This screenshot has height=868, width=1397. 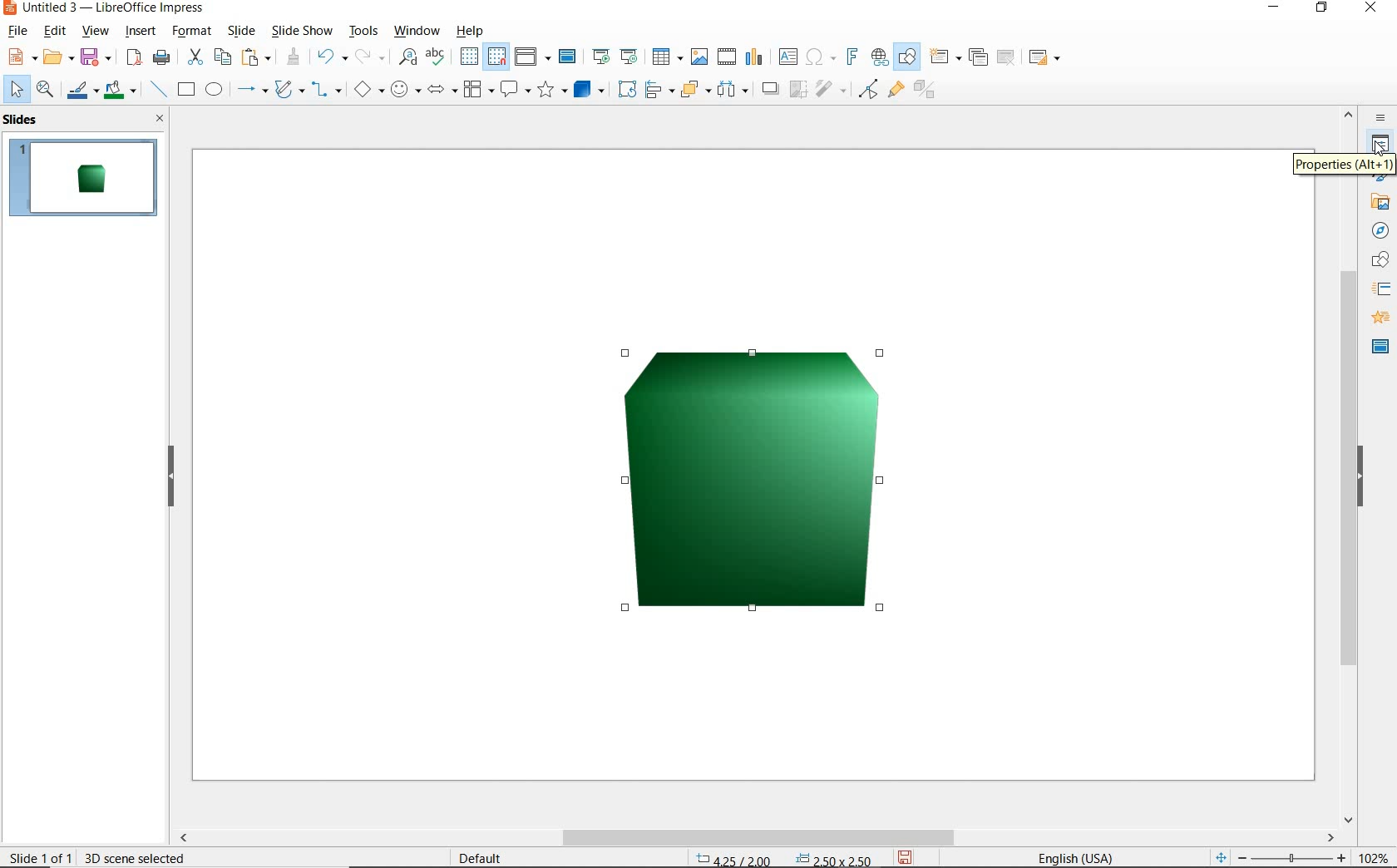 I want to click on open, so click(x=57, y=57).